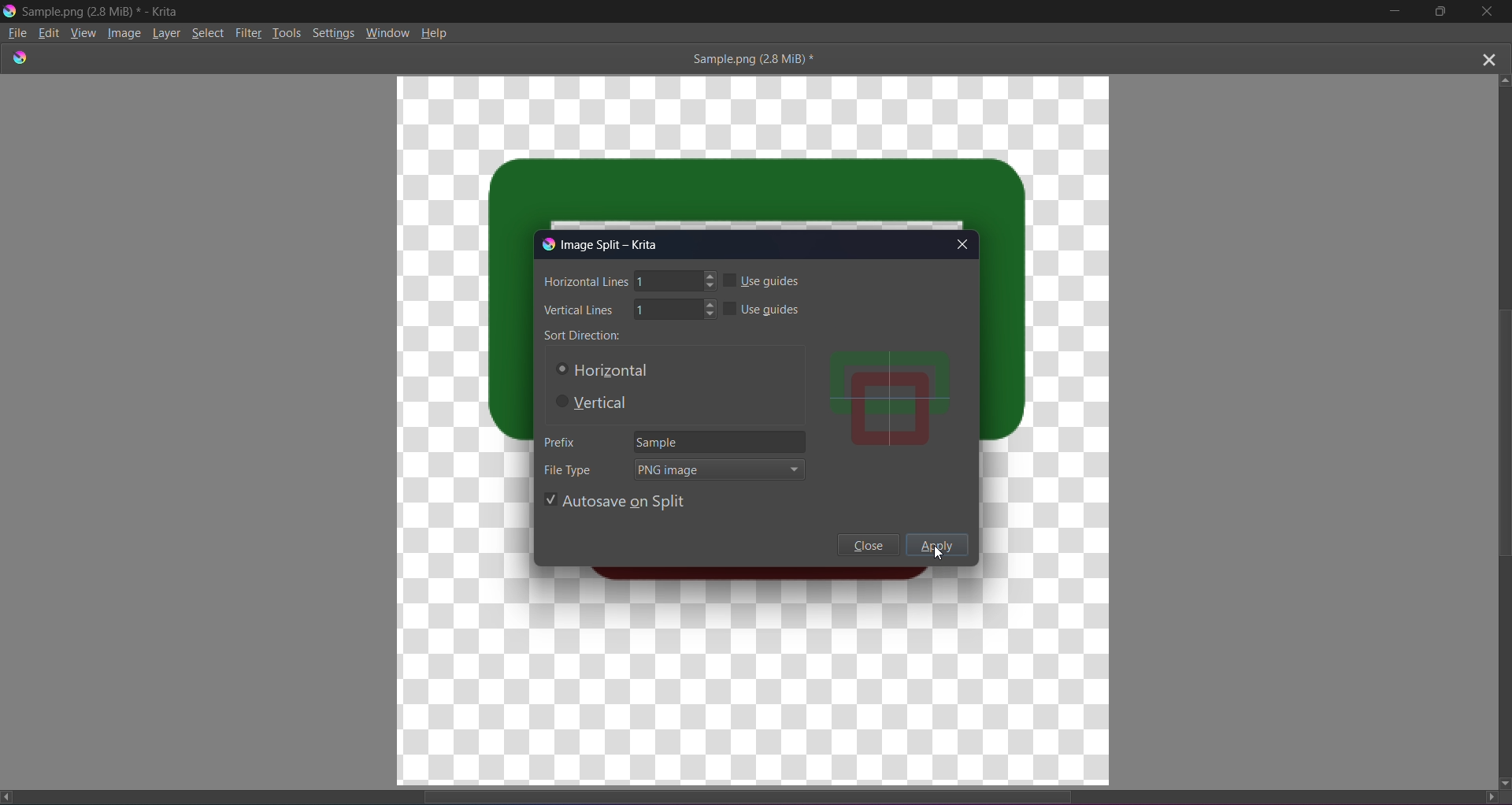 Image resolution: width=1512 pixels, height=805 pixels. What do you see at coordinates (964, 243) in the screenshot?
I see `Close` at bounding box center [964, 243].